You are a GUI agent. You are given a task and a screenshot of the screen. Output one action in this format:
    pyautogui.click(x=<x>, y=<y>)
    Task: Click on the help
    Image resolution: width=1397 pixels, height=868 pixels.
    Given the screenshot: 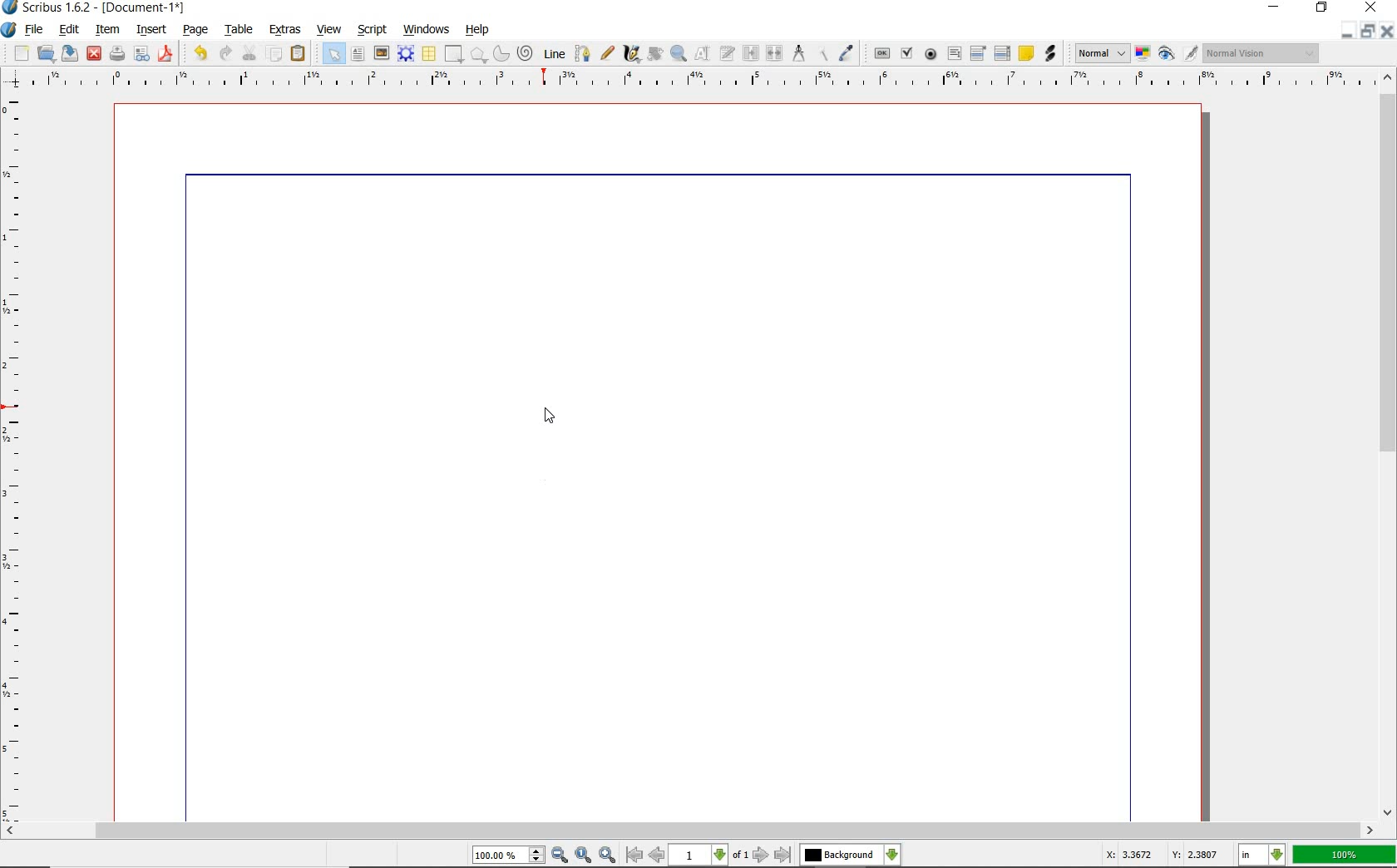 What is the action you would take?
    pyautogui.click(x=476, y=30)
    